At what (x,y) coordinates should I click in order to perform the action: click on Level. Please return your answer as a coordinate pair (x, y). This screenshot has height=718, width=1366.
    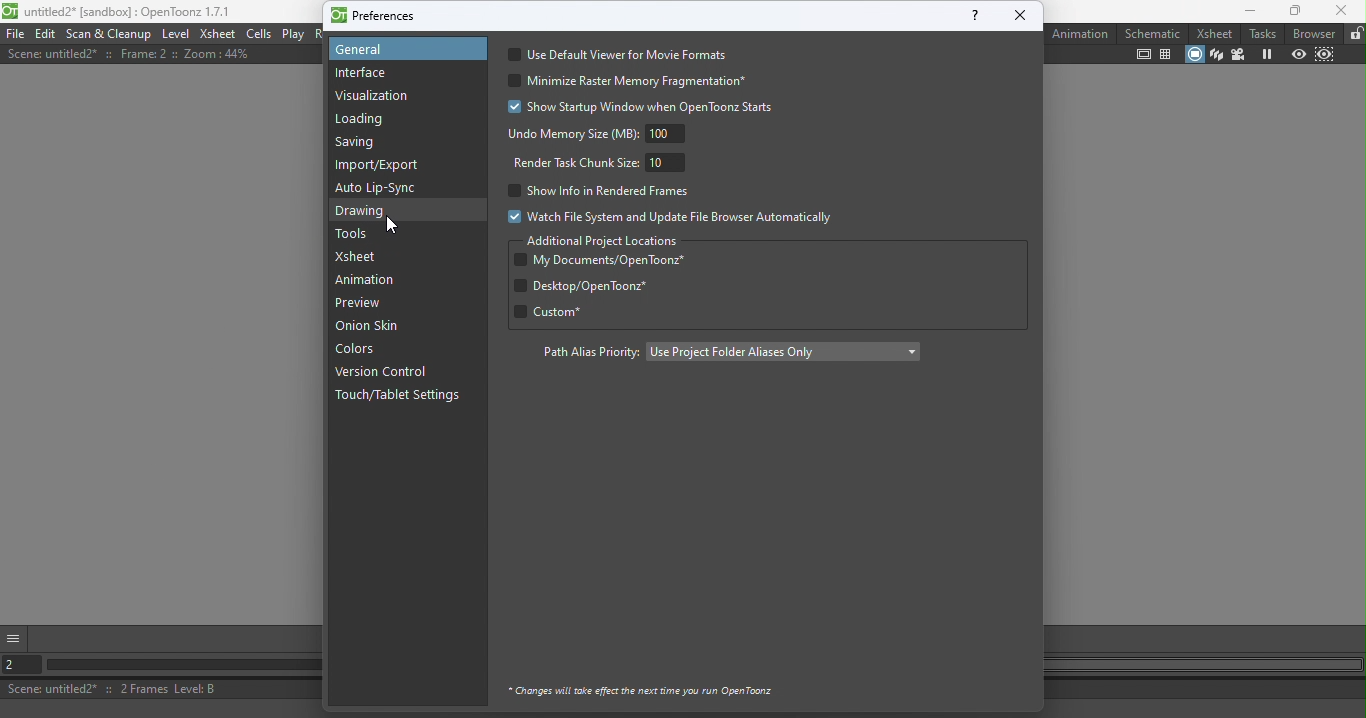
    Looking at the image, I should click on (175, 33).